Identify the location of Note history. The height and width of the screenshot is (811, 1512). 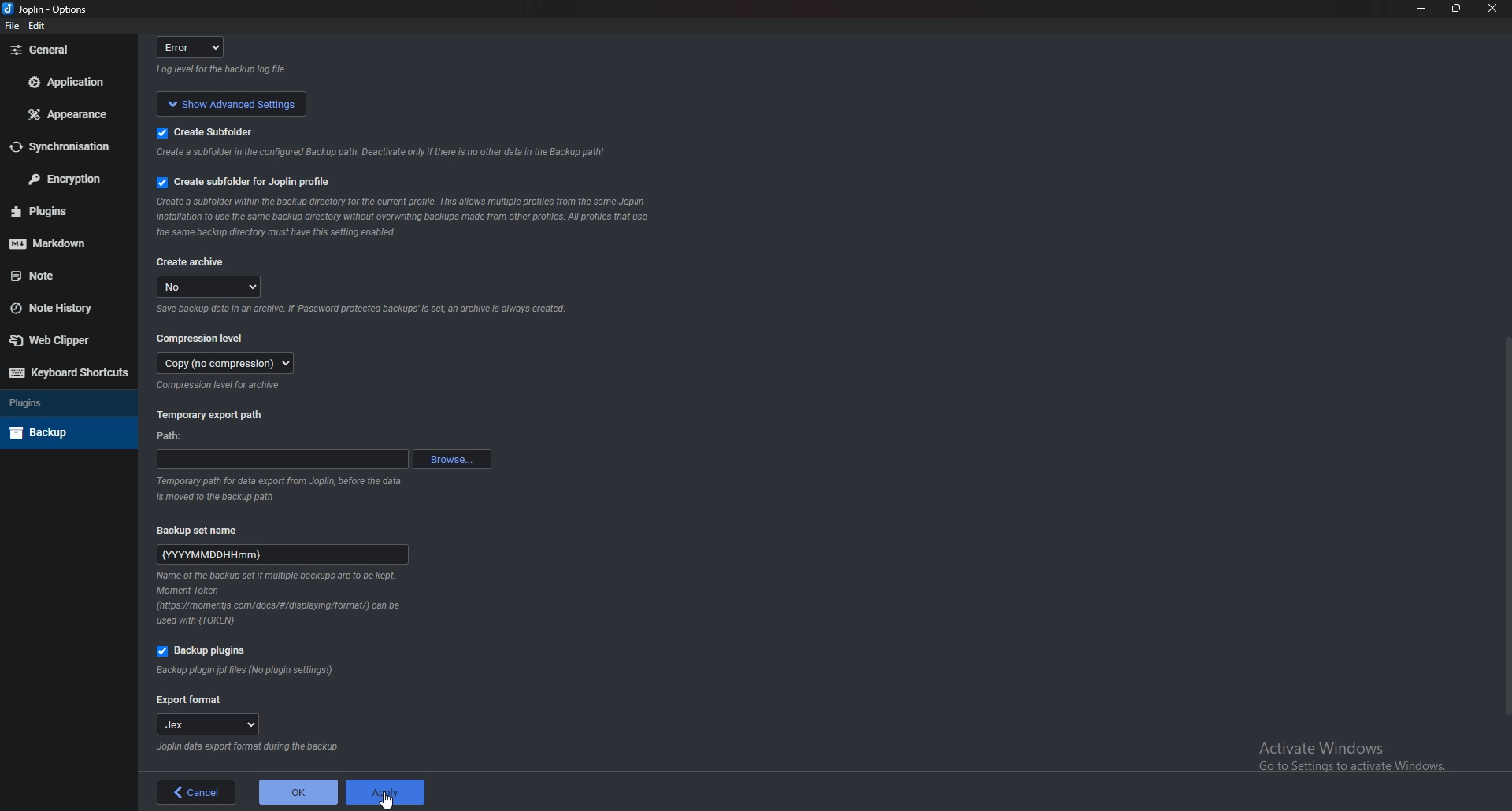
(61, 308).